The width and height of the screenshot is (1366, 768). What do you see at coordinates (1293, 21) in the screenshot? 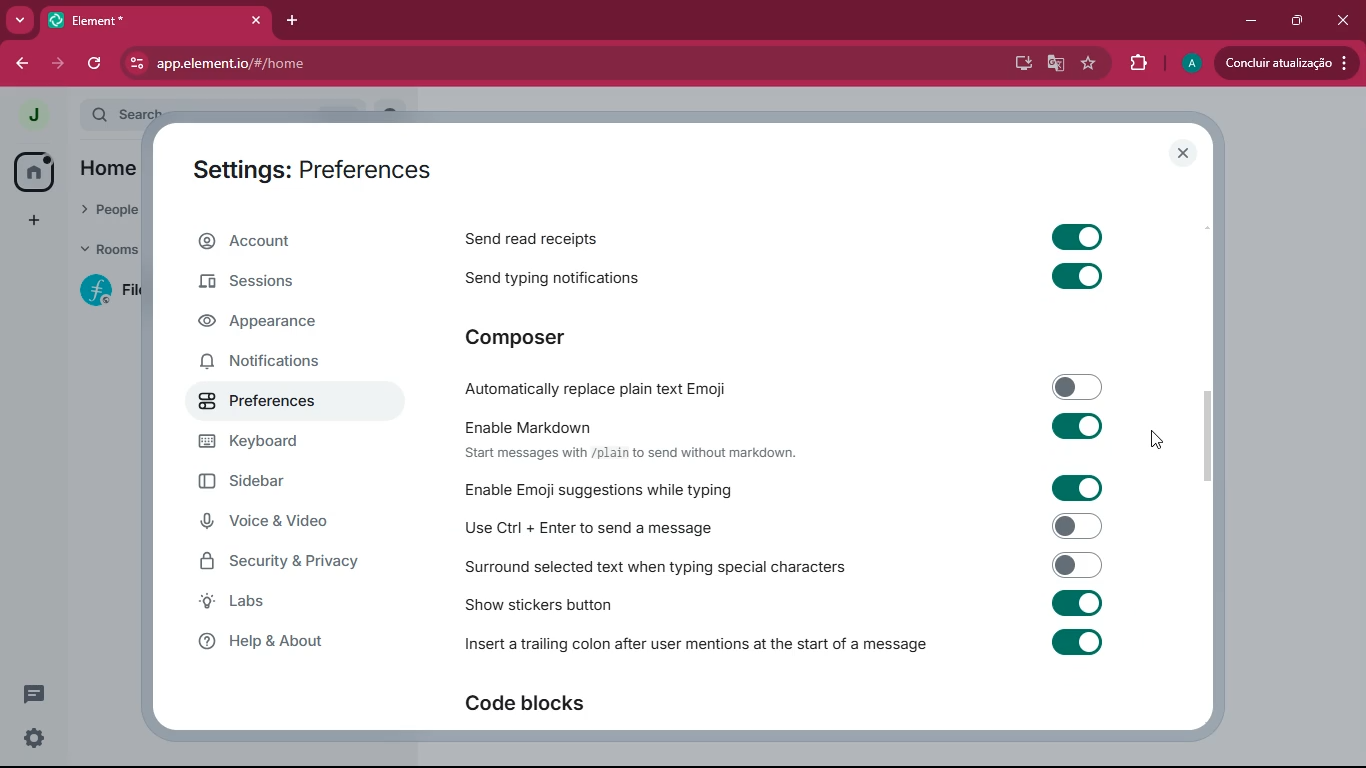
I see `maximize` at bounding box center [1293, 21].